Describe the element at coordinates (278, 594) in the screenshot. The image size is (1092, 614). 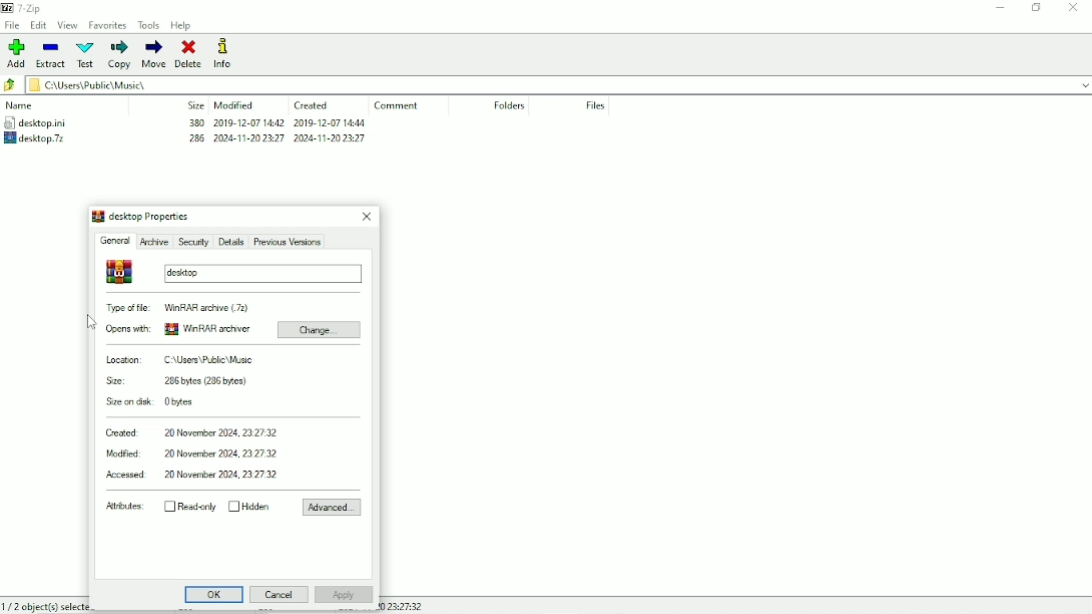
I see `Cancel` at that location.